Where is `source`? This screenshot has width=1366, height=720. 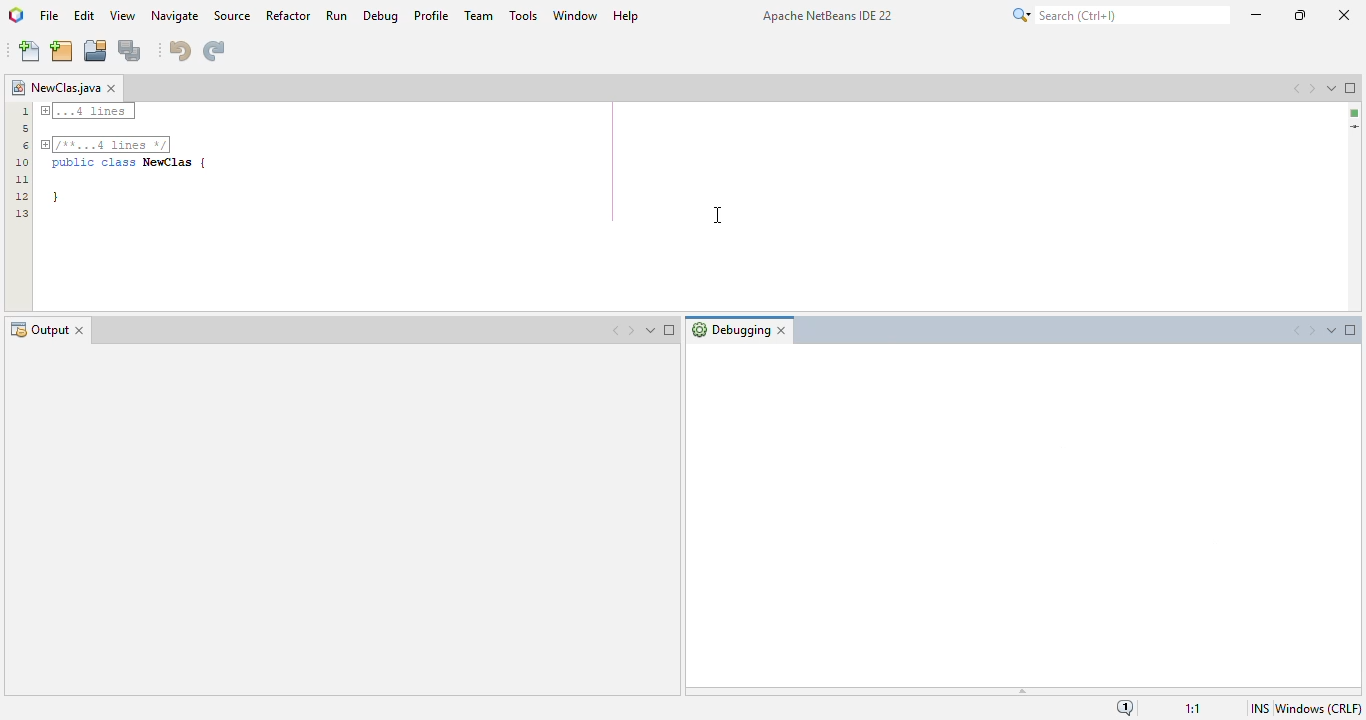 source is located at coordinates (232, 15).